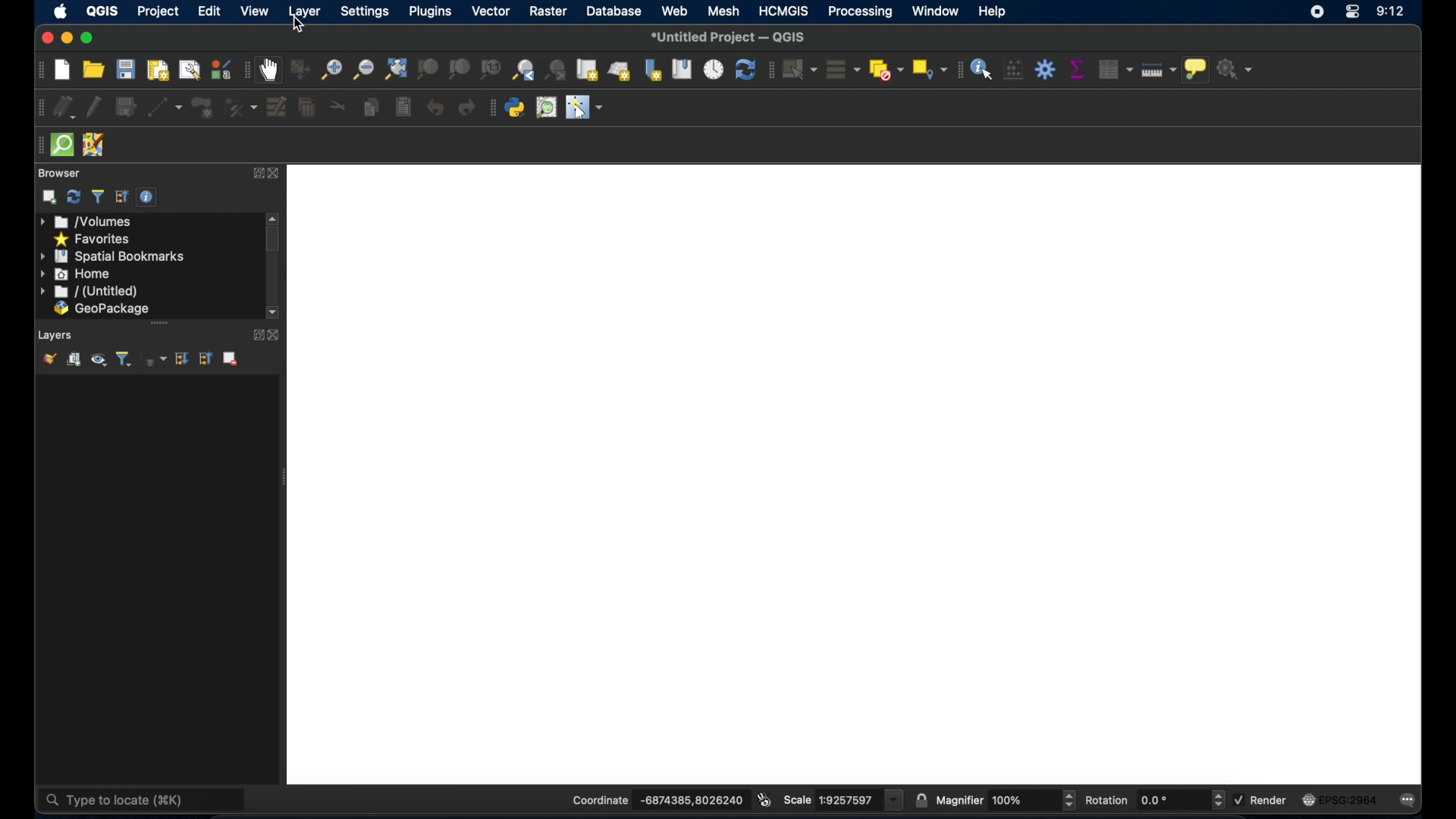 The width and height of the screenshot is (1456, 819). I want to click on maximize, so click(89, 38).